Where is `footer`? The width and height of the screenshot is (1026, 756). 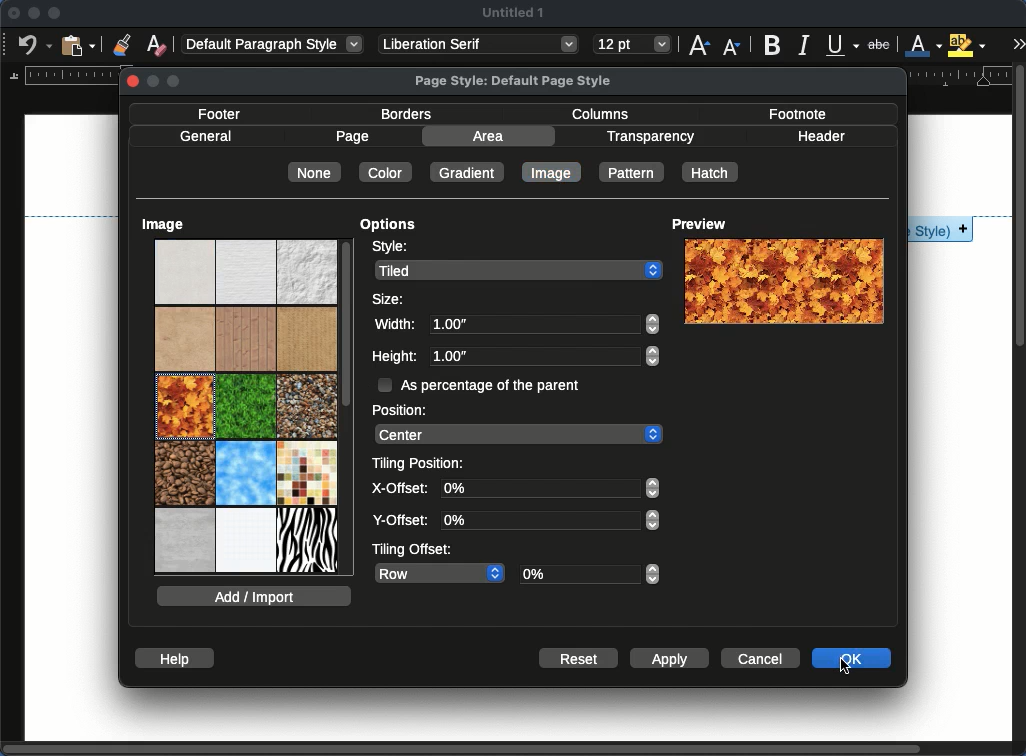 footer is located at coordinates (222, 115).